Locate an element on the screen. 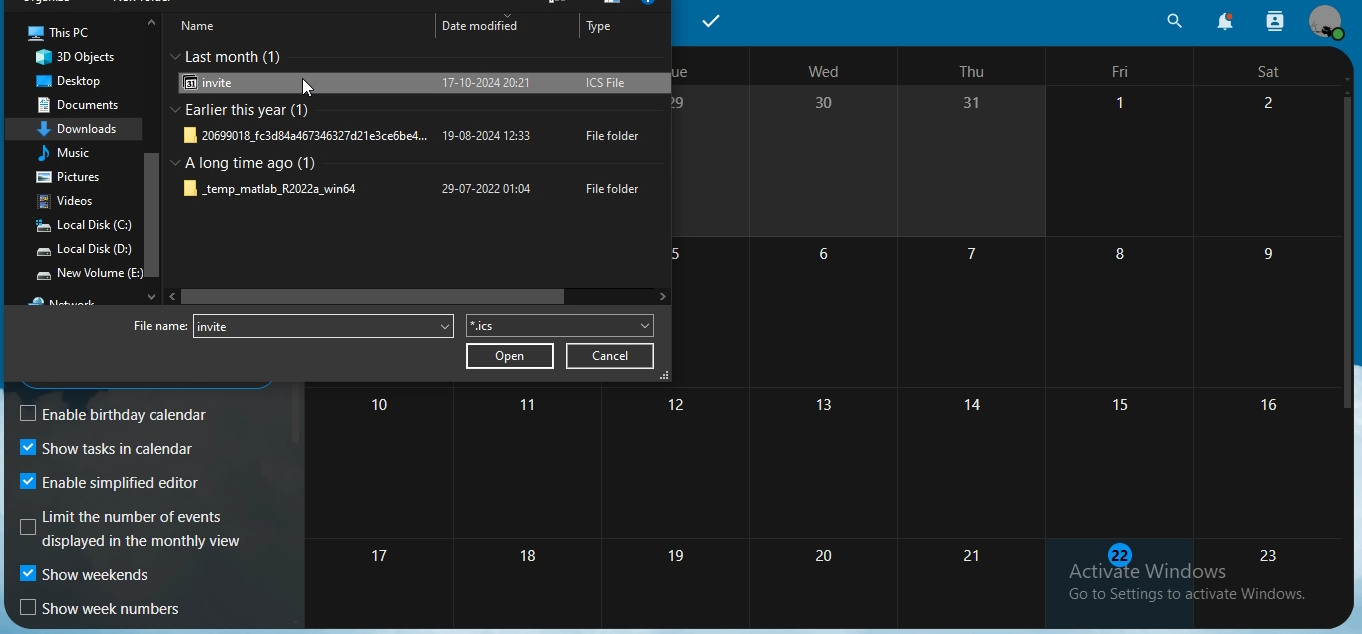 The height and width of the screenshot is (634, 1362). New volume E is located at coordinates (89, 274).